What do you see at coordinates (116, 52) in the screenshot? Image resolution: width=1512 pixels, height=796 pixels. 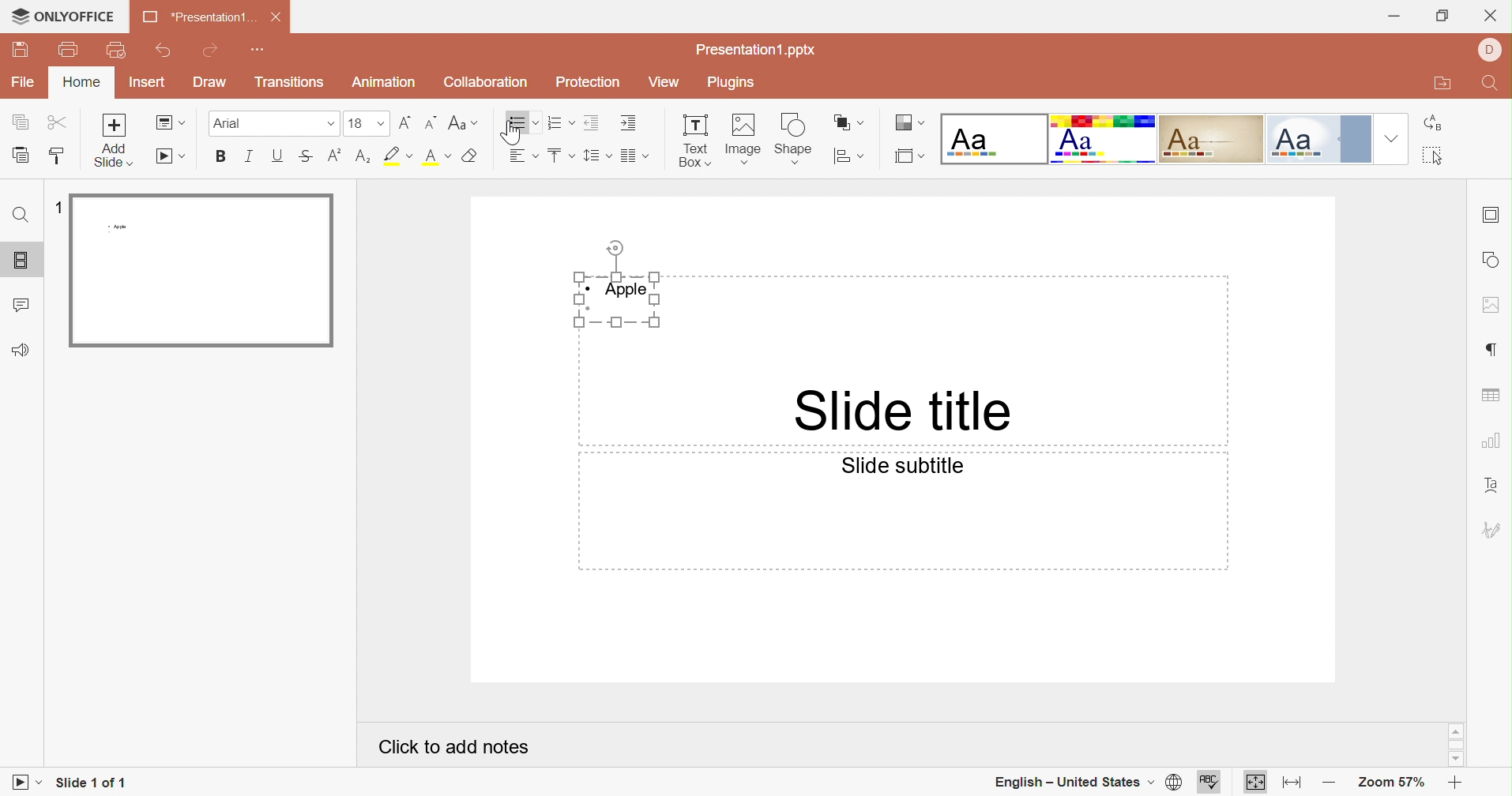 I see `Quick Print` at bounding box center [116, 52].